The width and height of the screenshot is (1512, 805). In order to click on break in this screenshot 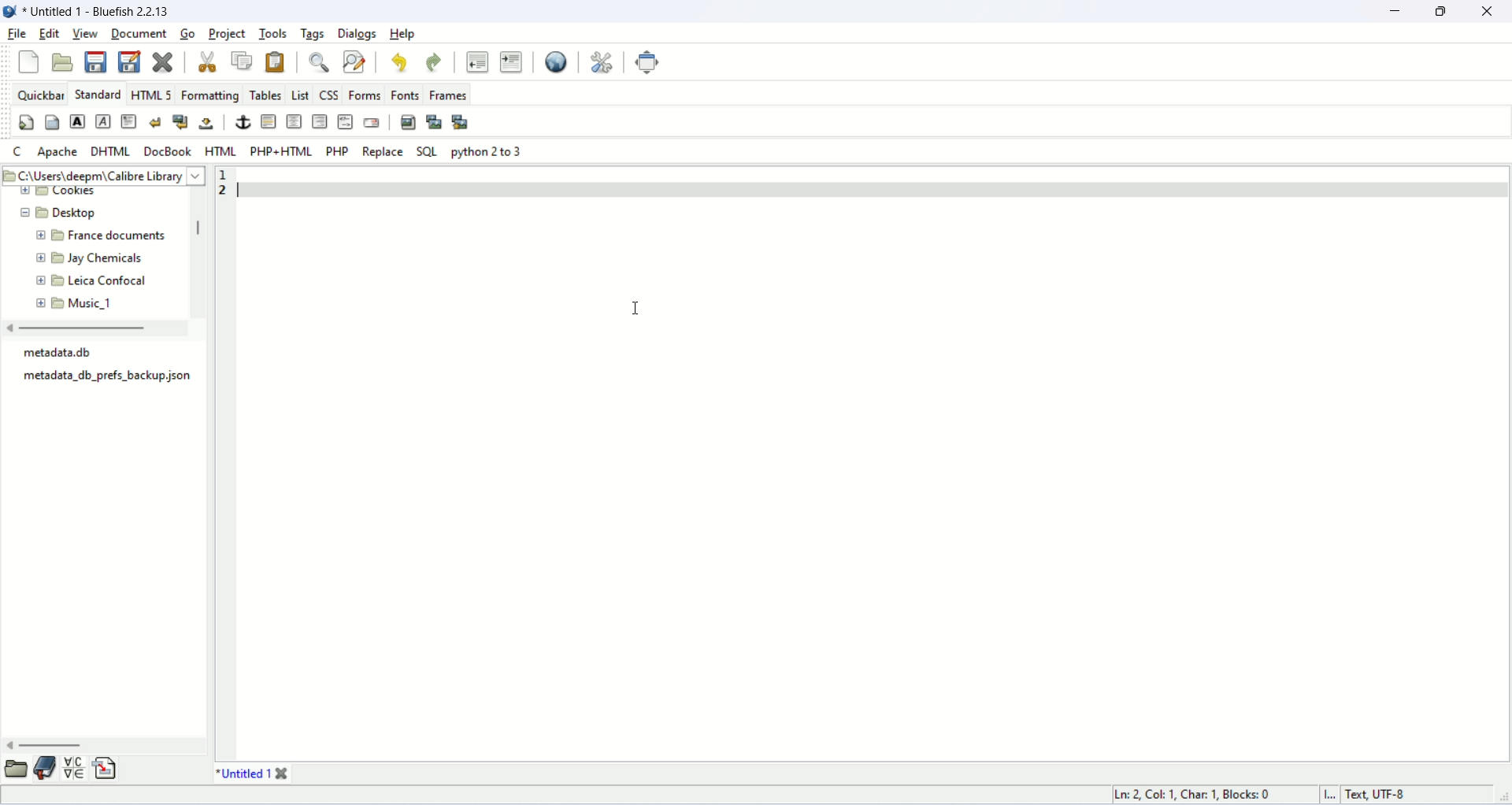, I will do `click(154, 122)`.